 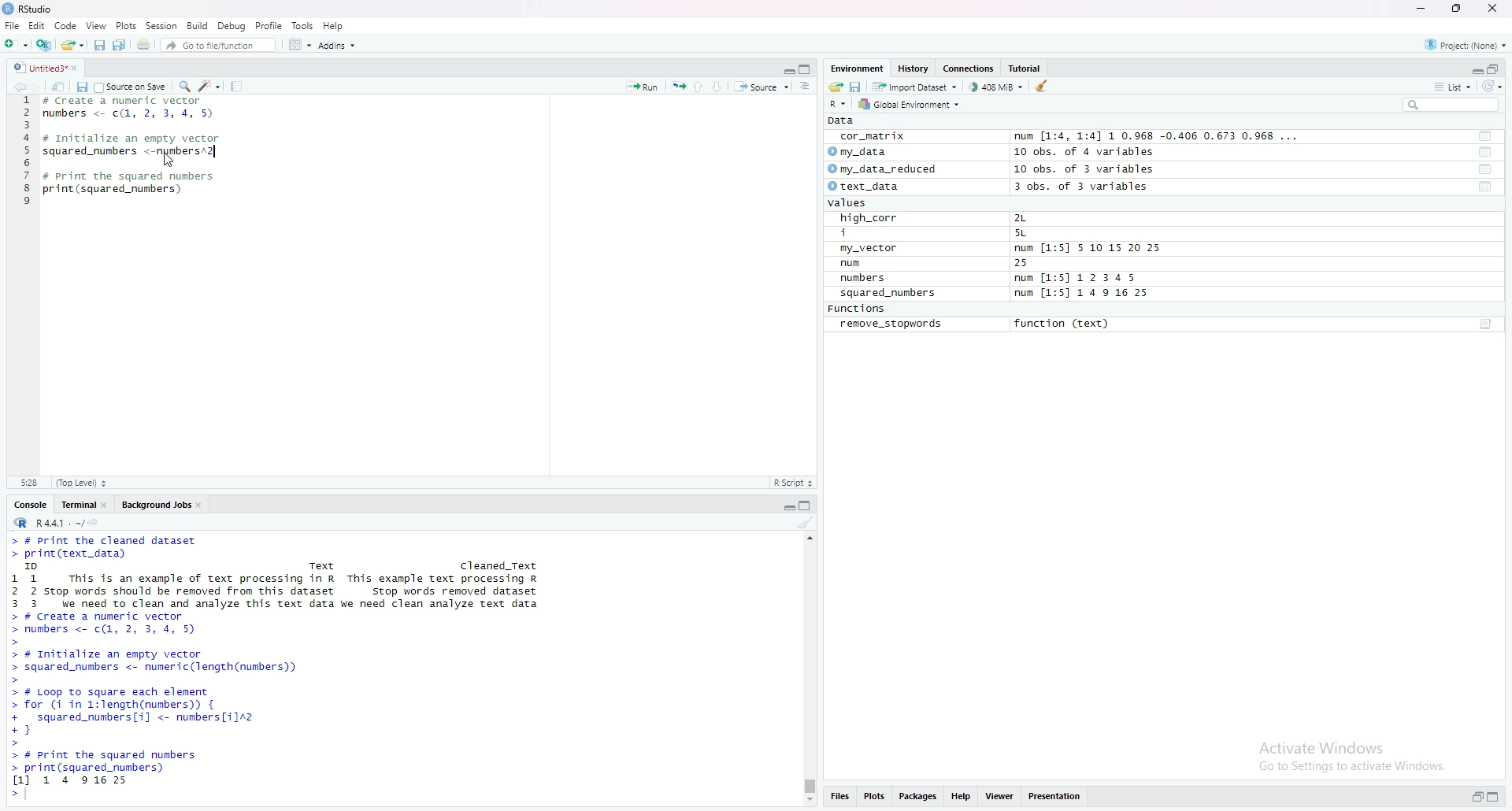 I want to click on pata, so click(x=845, y=120).